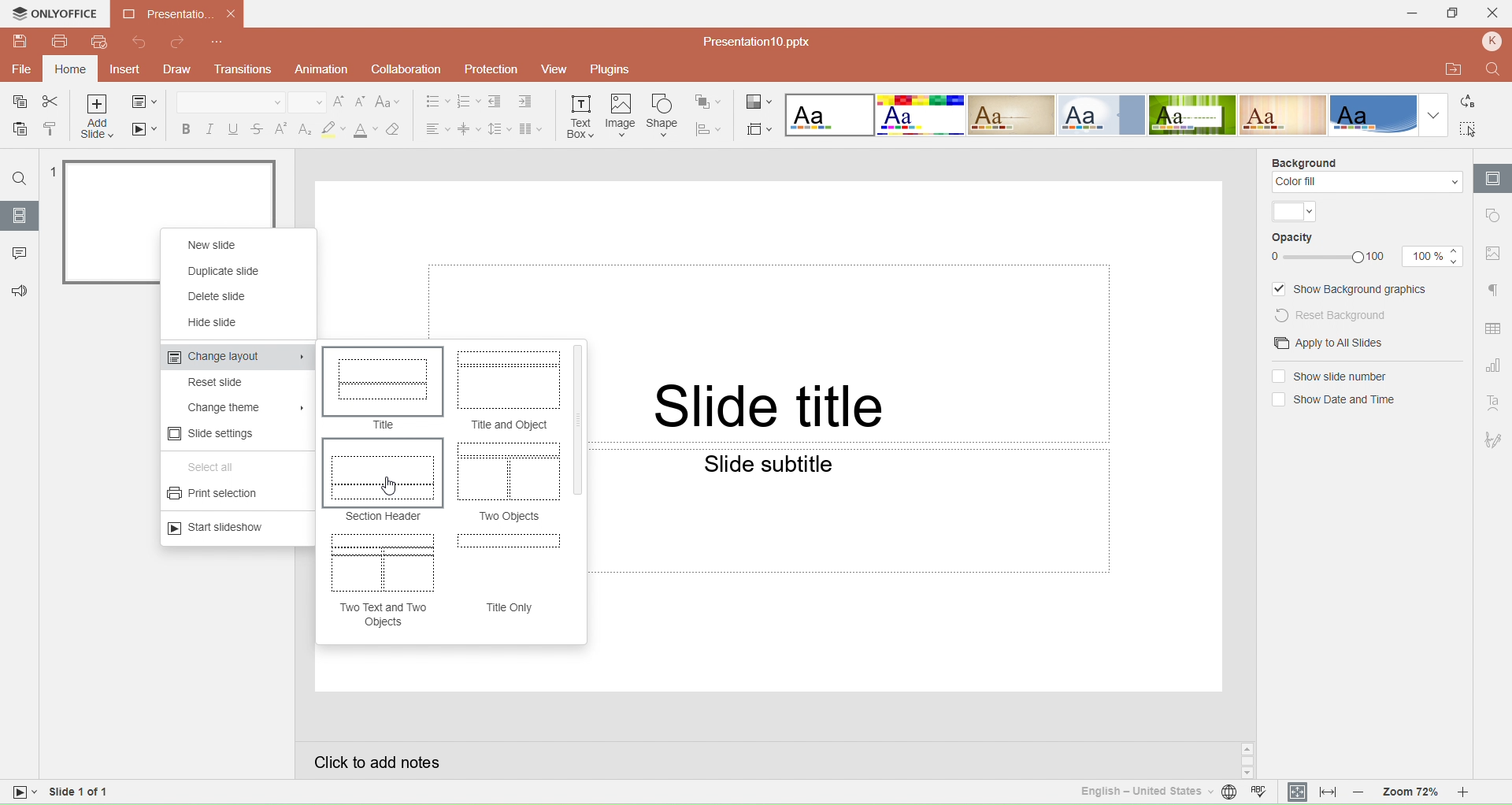  What do you see at coordinates (383, 563) in the screenshot?
I see `Two text and two objects Preview Layout` at bounding box center [383, 563].